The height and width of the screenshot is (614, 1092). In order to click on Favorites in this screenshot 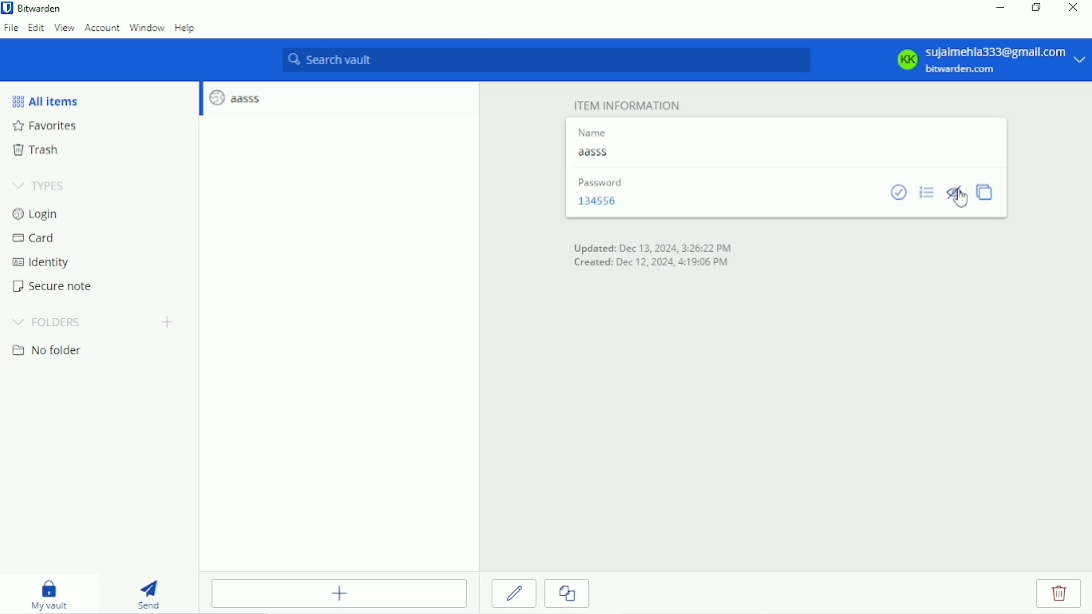, I will do `click(44, 125)`.